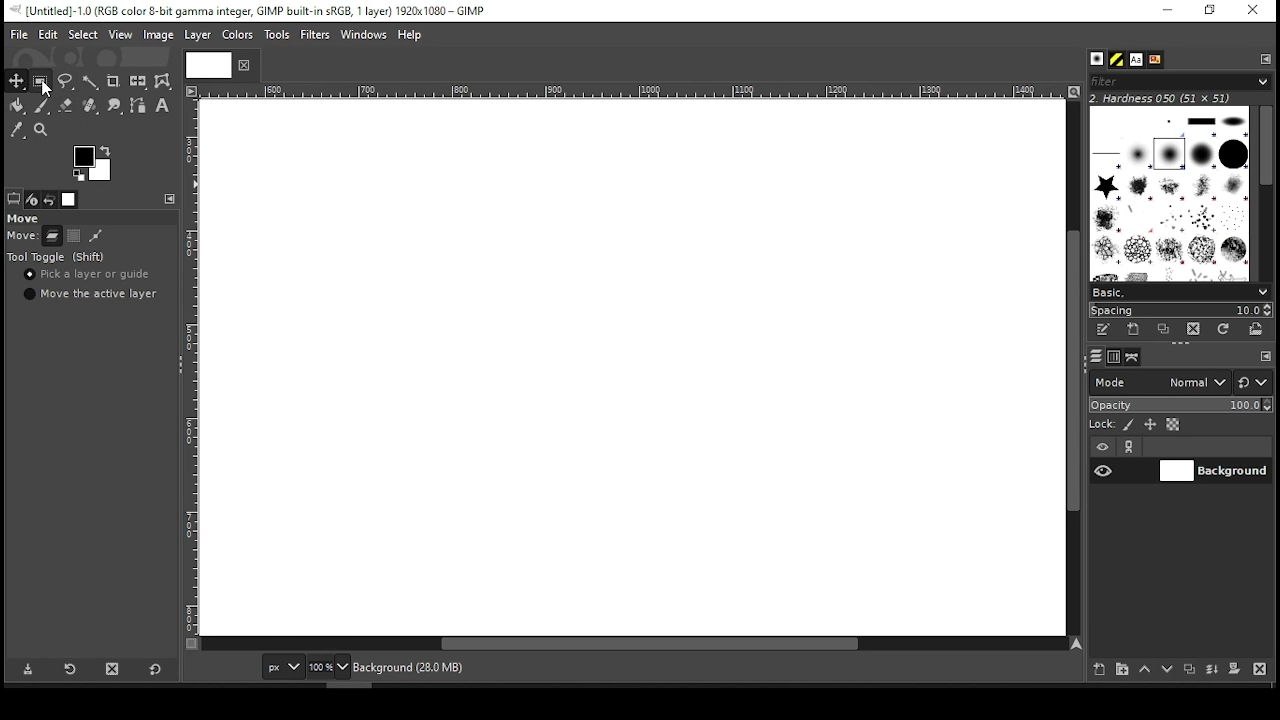 The image size is (1280, 720). Describe the element at coordinates (1113, 357) in the screenshot. I see `channels` at that location.